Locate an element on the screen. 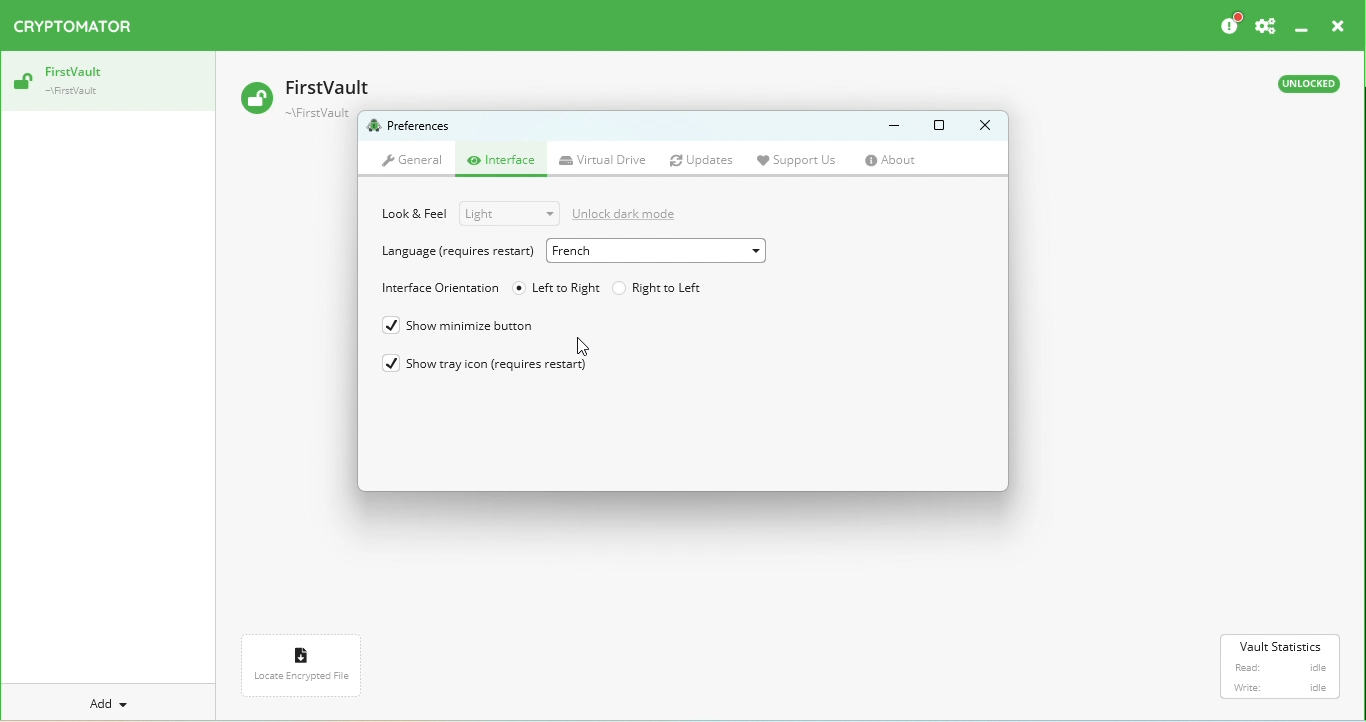 The height and width of the screenshot is (722, 1366). Please considder donating is located at coordinates (1228, 25).